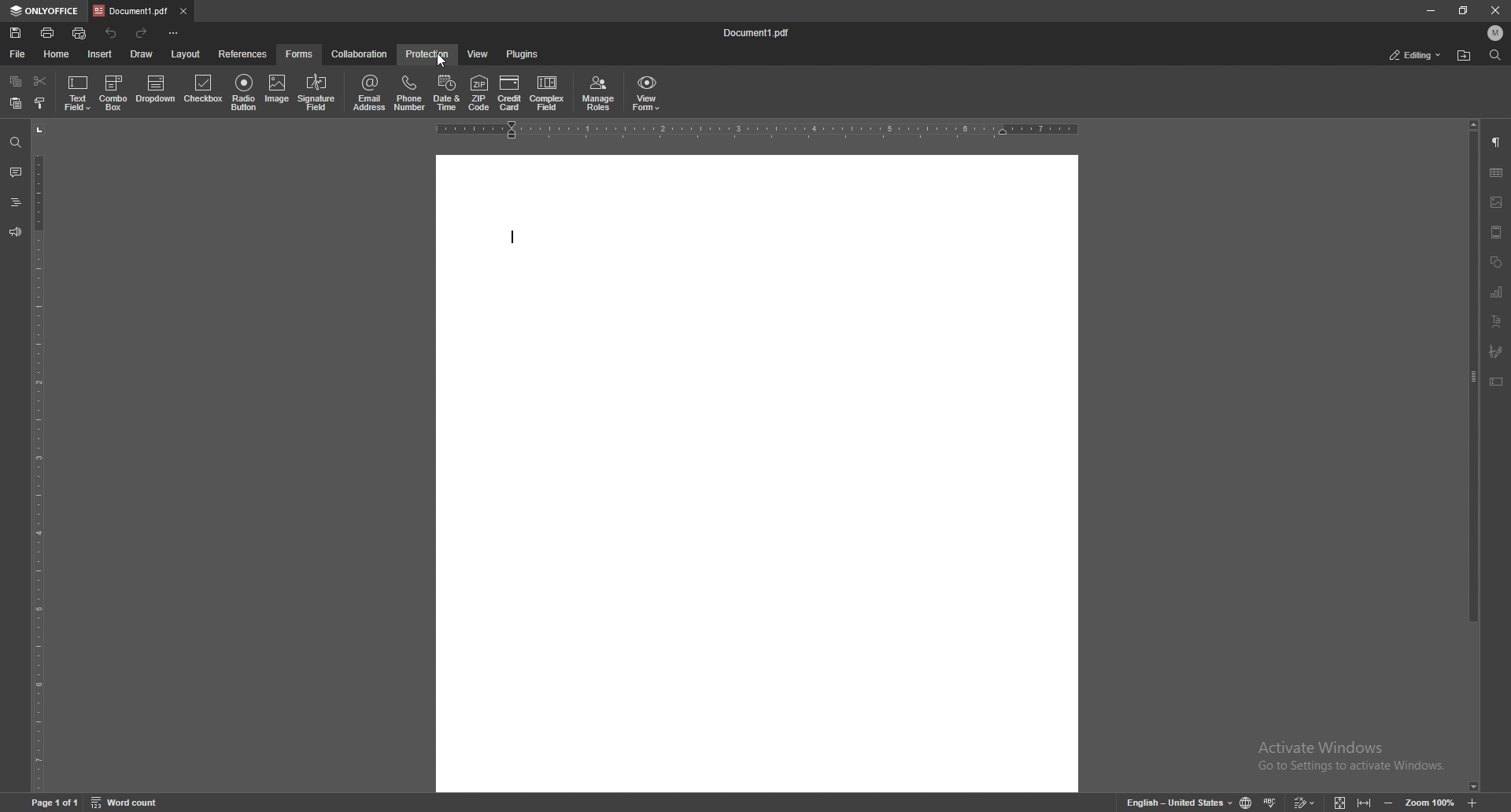  What do you see at coordinates (317, 91) in the screenshot?
I see `signature field` at bounding box center [317, 91].